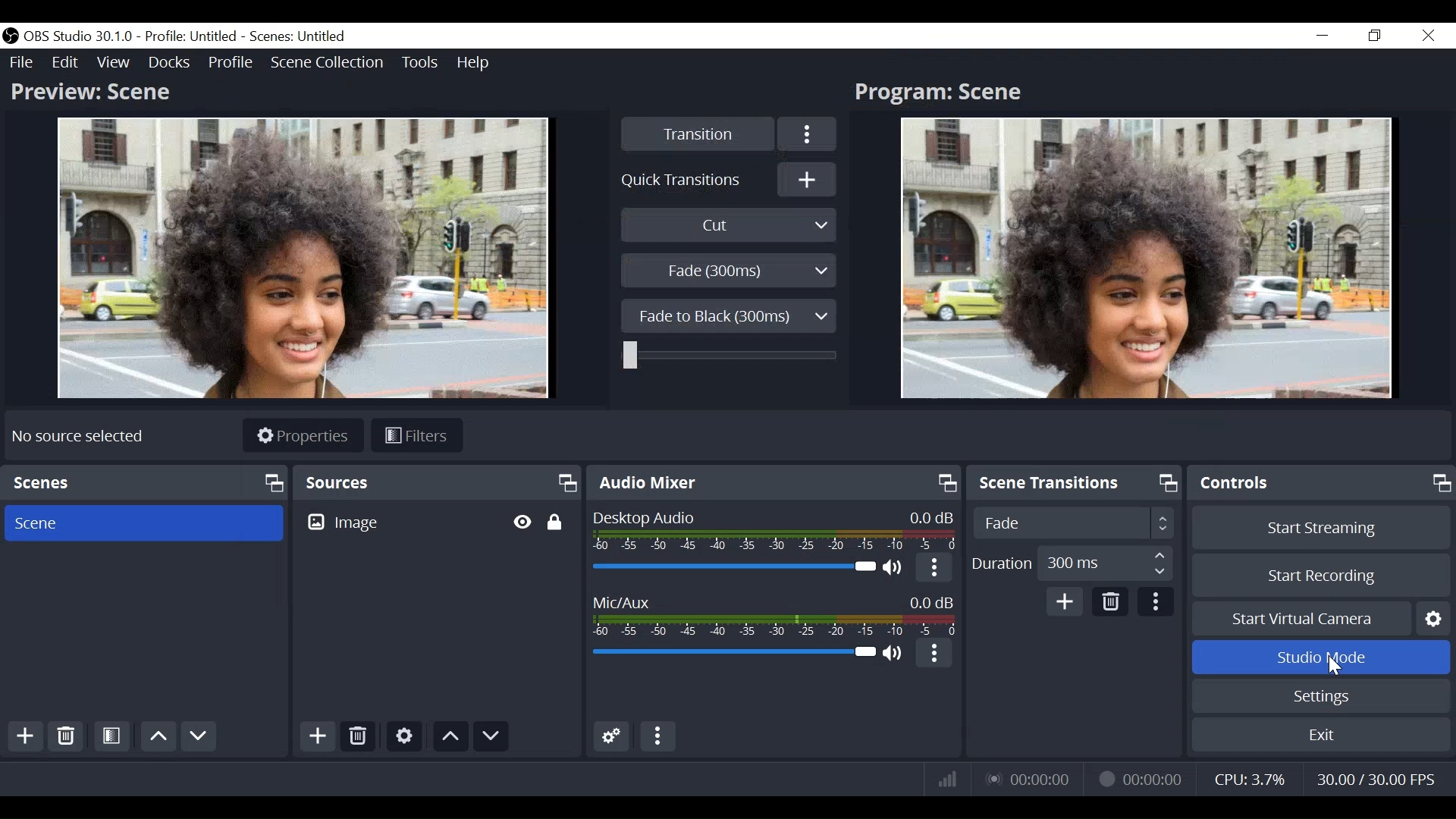 Image resolution: width=1456 pixels, height=819 pixels. What do you see at coordinates (1323, 35) in the screenshot?
I see `minimize` at bounding box center [1323, 35].